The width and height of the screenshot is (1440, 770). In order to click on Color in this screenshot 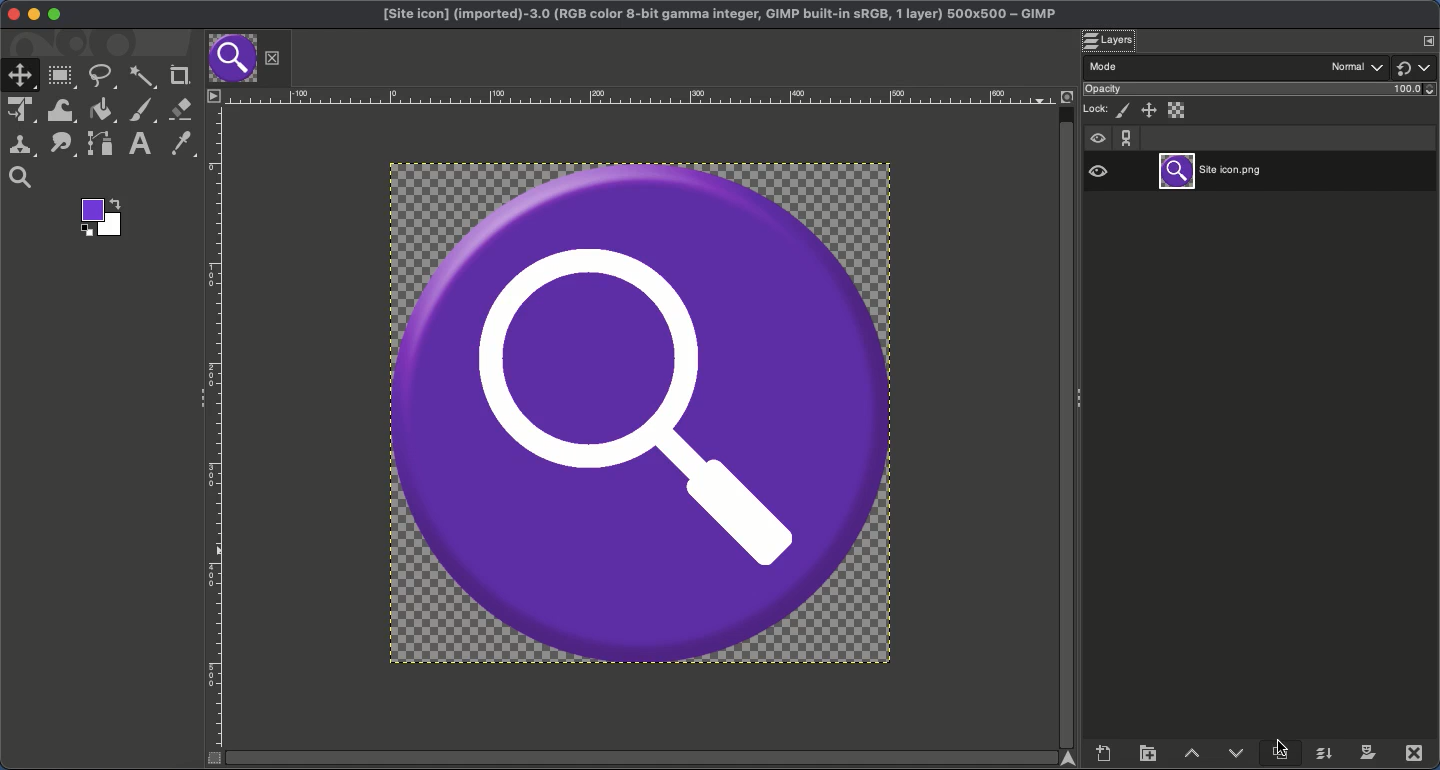, I will do `click(102, 219)`.